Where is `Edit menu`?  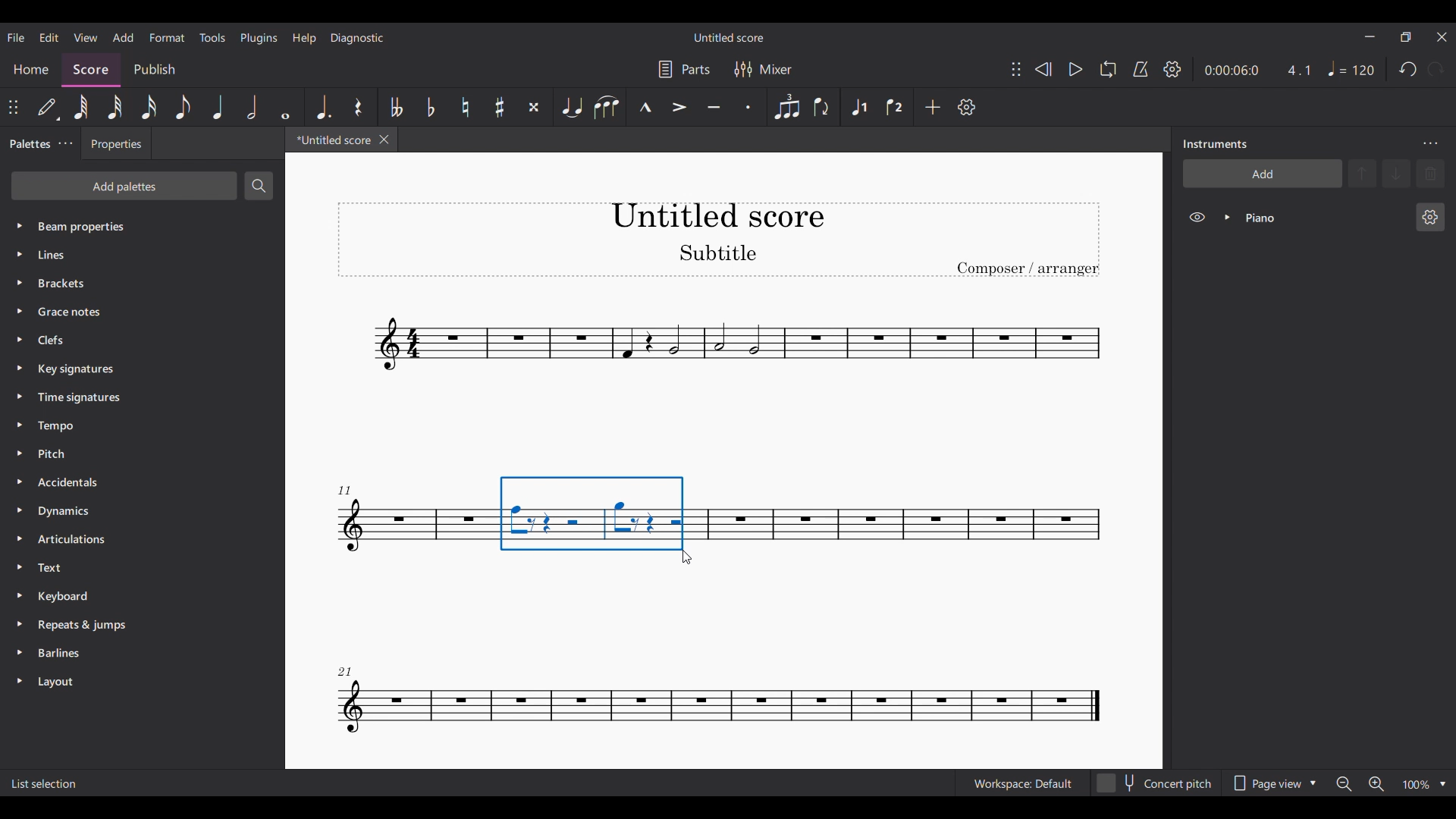 Edit menu is located at coordinates (49, 37).